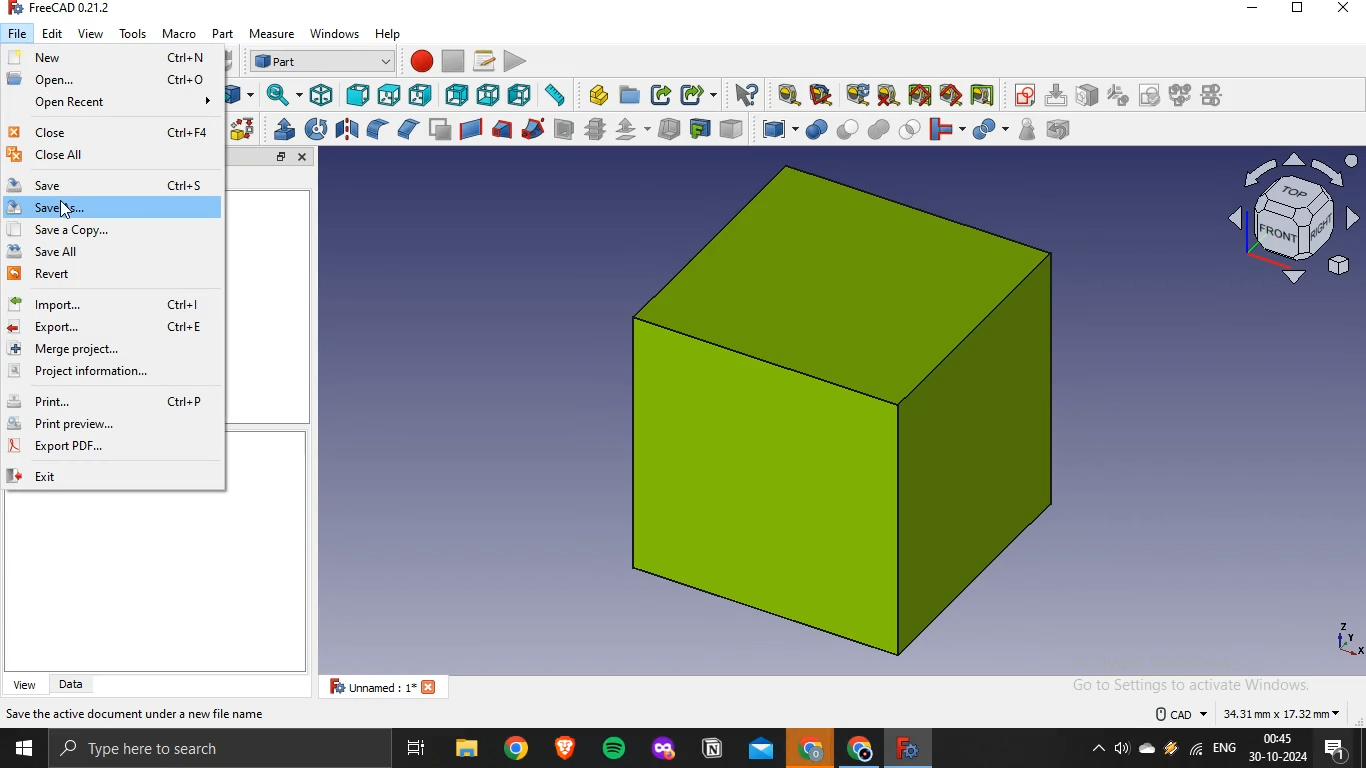 This screenshot has width=1366, height=768. Describe the element at coordinates (456, 95) in the screenshot. I see `rear` at that location.